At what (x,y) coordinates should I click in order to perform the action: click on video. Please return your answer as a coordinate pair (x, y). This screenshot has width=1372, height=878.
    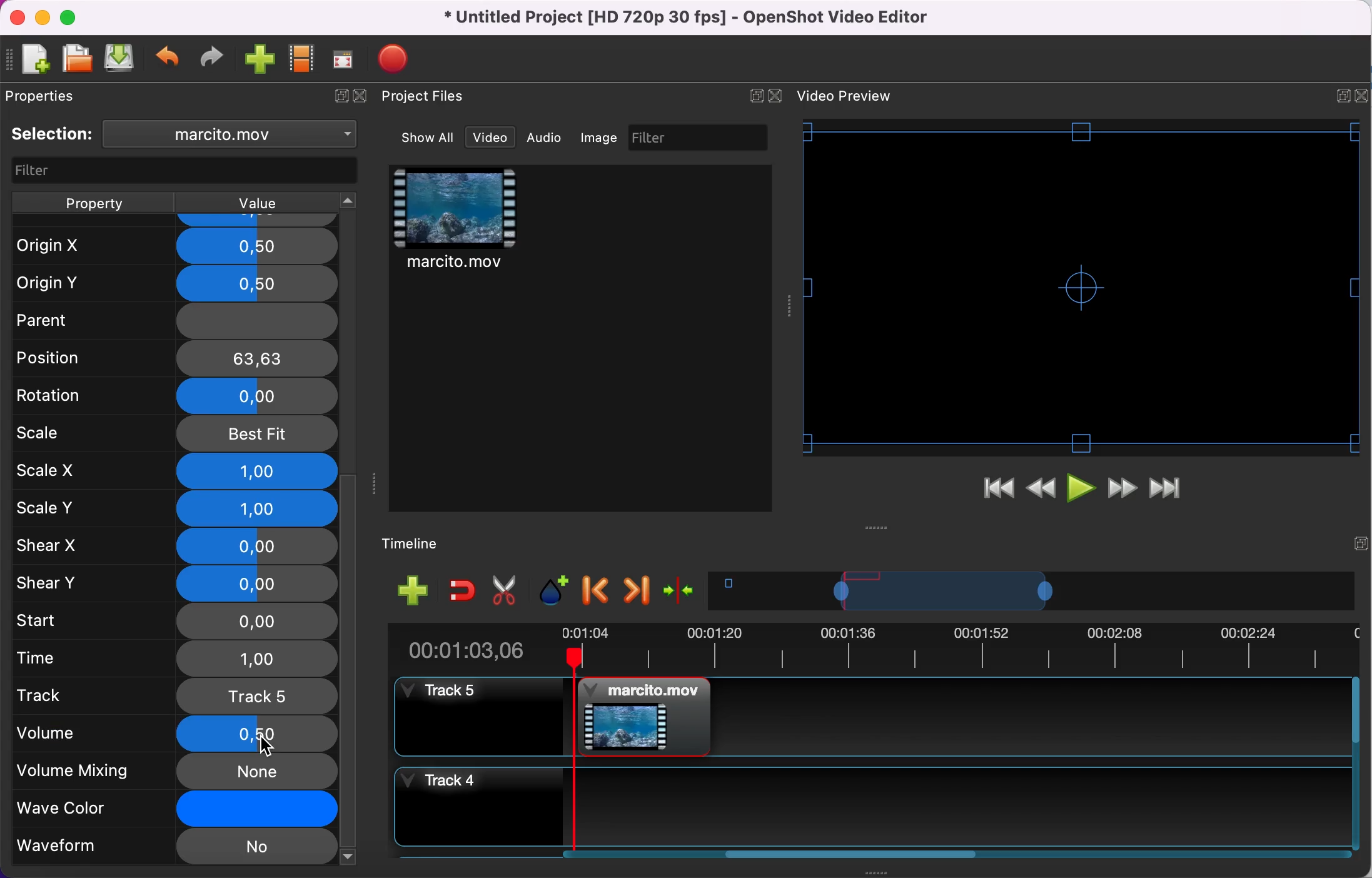
    Looking at the image, I should click on (456, 221).